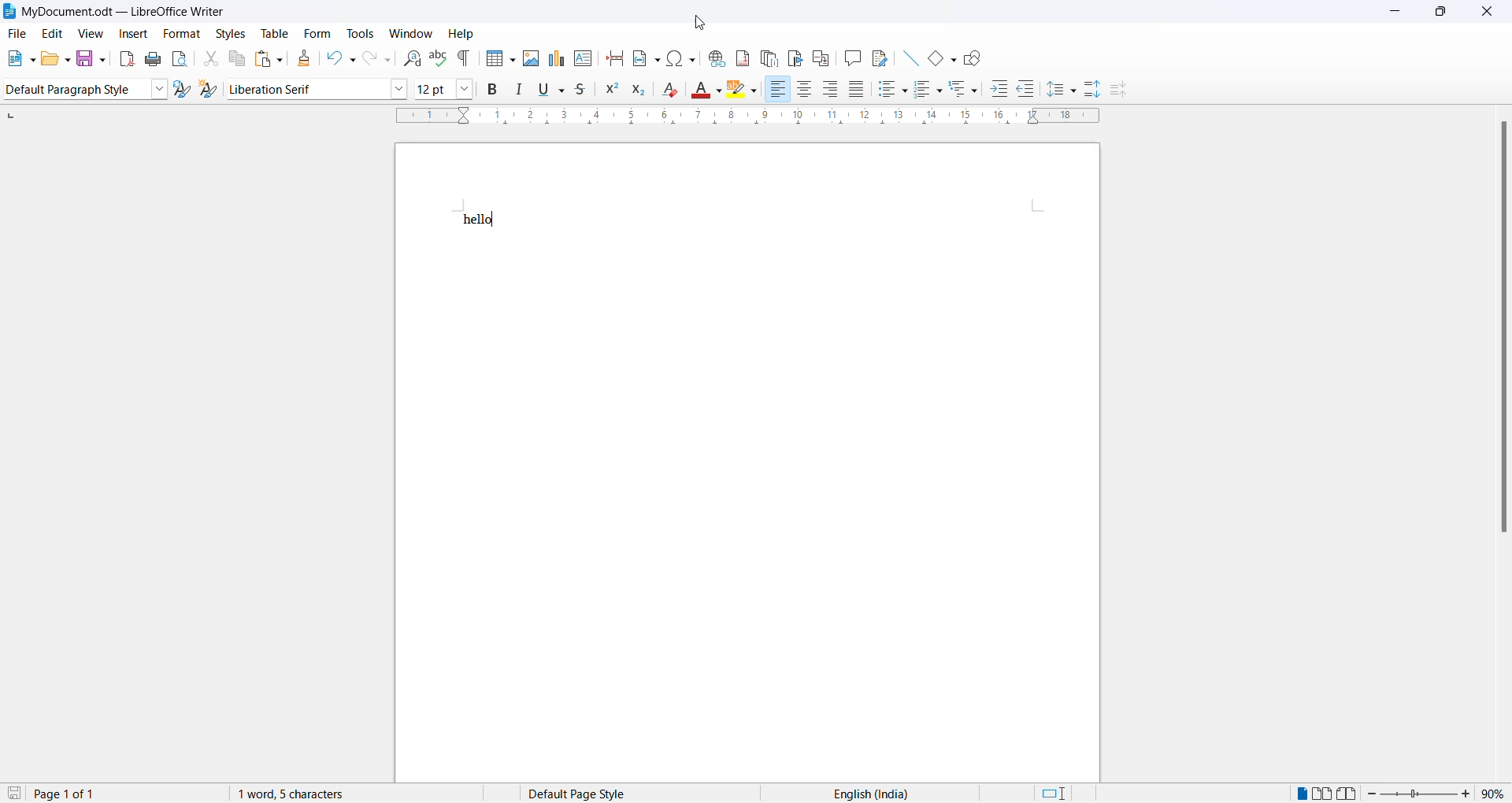  What do you see at coordinates (795, 58) in the screenshot?
I see `Insert bookmark` at bounding box center [795, 58].